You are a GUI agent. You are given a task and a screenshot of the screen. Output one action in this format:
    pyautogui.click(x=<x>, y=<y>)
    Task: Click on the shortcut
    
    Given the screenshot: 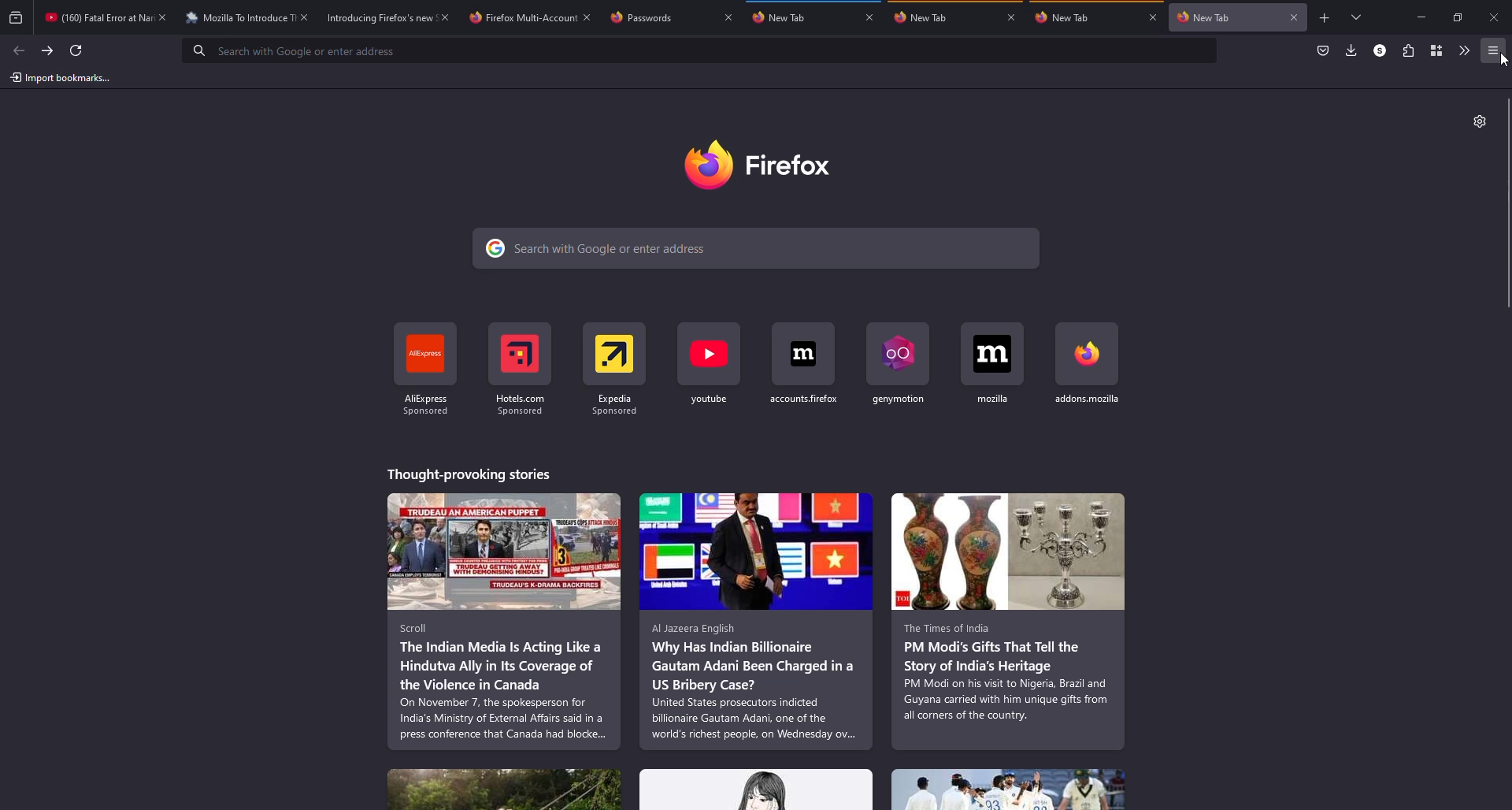 What is the action you would take?
    pyautogui.click(x=518, y=370)
    